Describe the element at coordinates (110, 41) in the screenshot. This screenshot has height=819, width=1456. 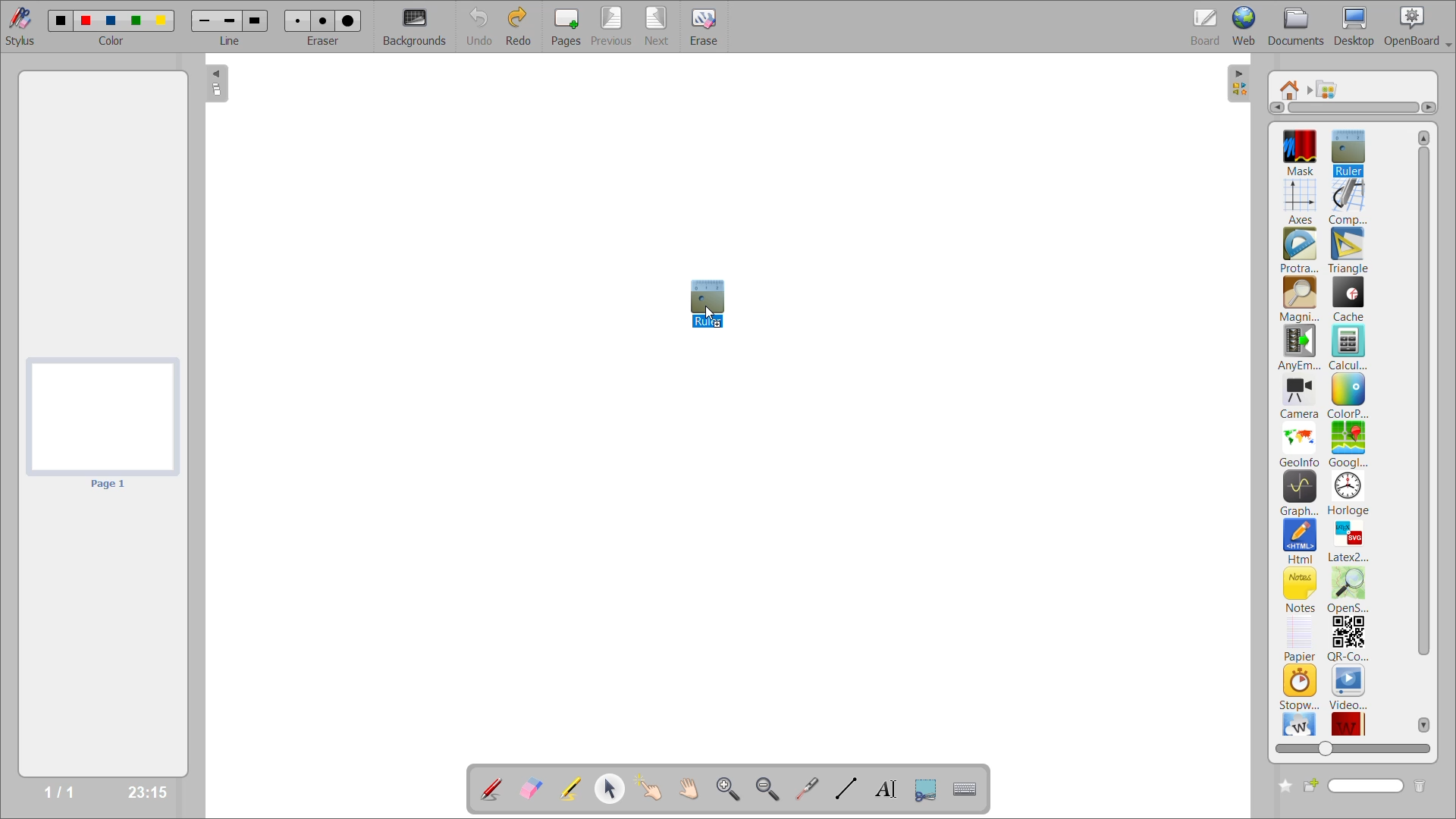
I see `color` at that location.